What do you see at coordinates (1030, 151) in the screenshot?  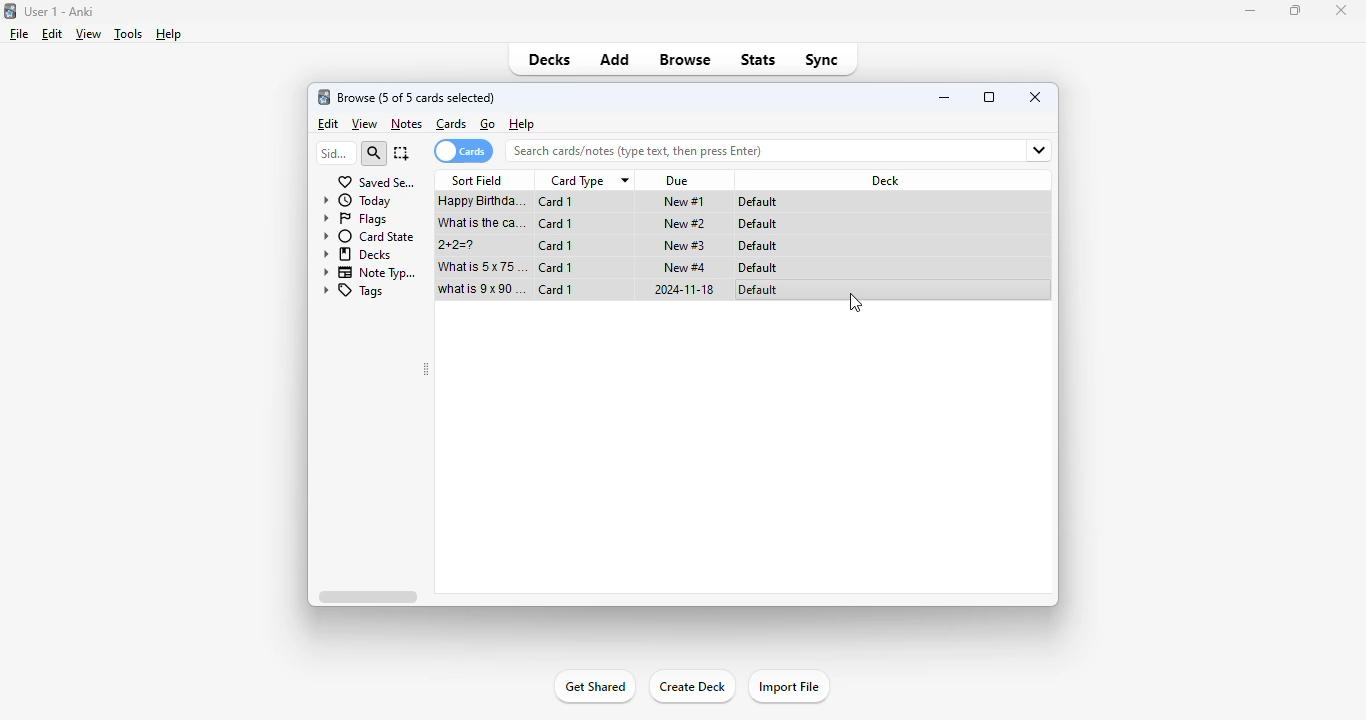 I see `fields` at bounding box center [1030, 151].